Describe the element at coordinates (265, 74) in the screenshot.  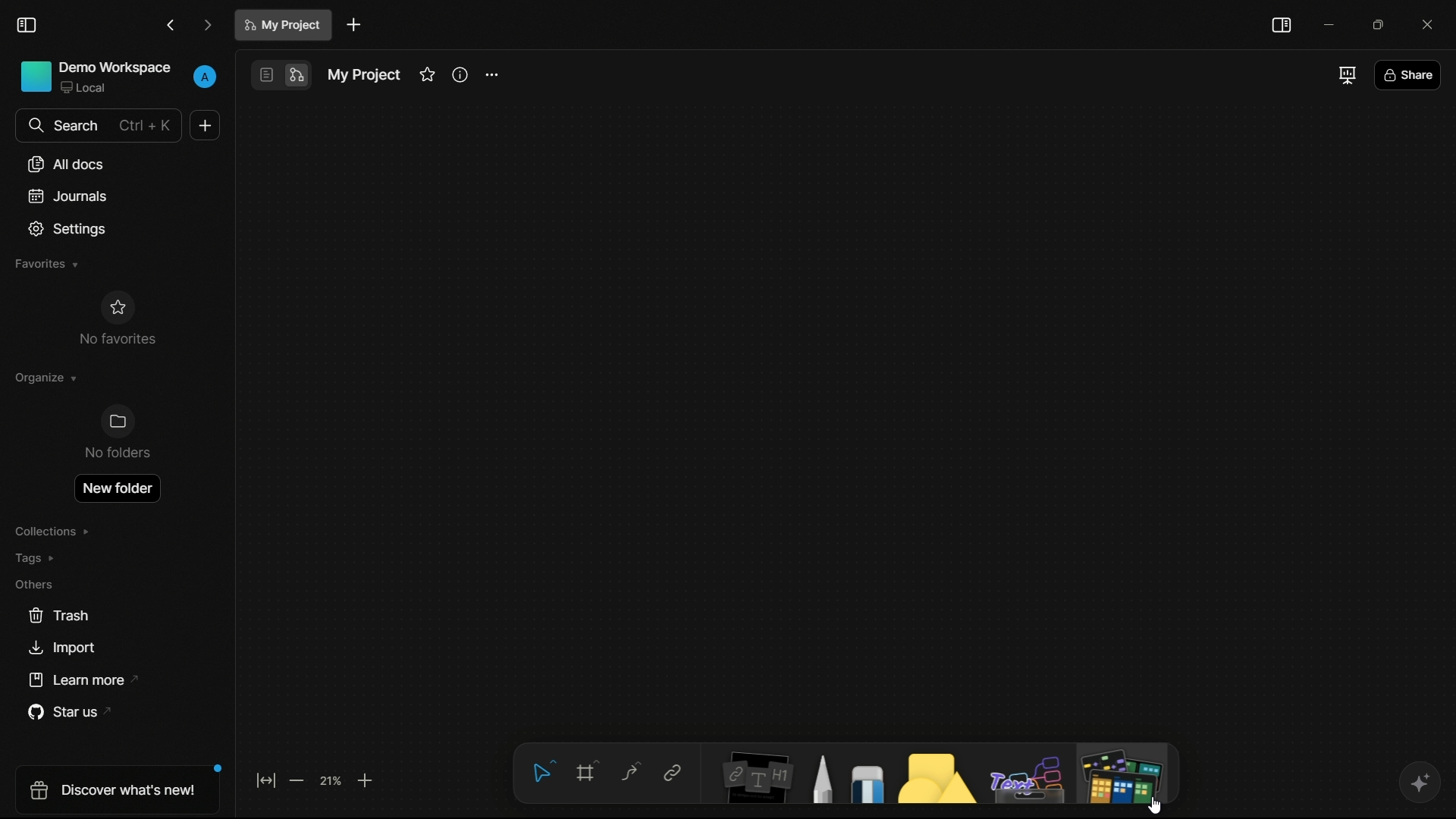
I see `page mode` at that location.